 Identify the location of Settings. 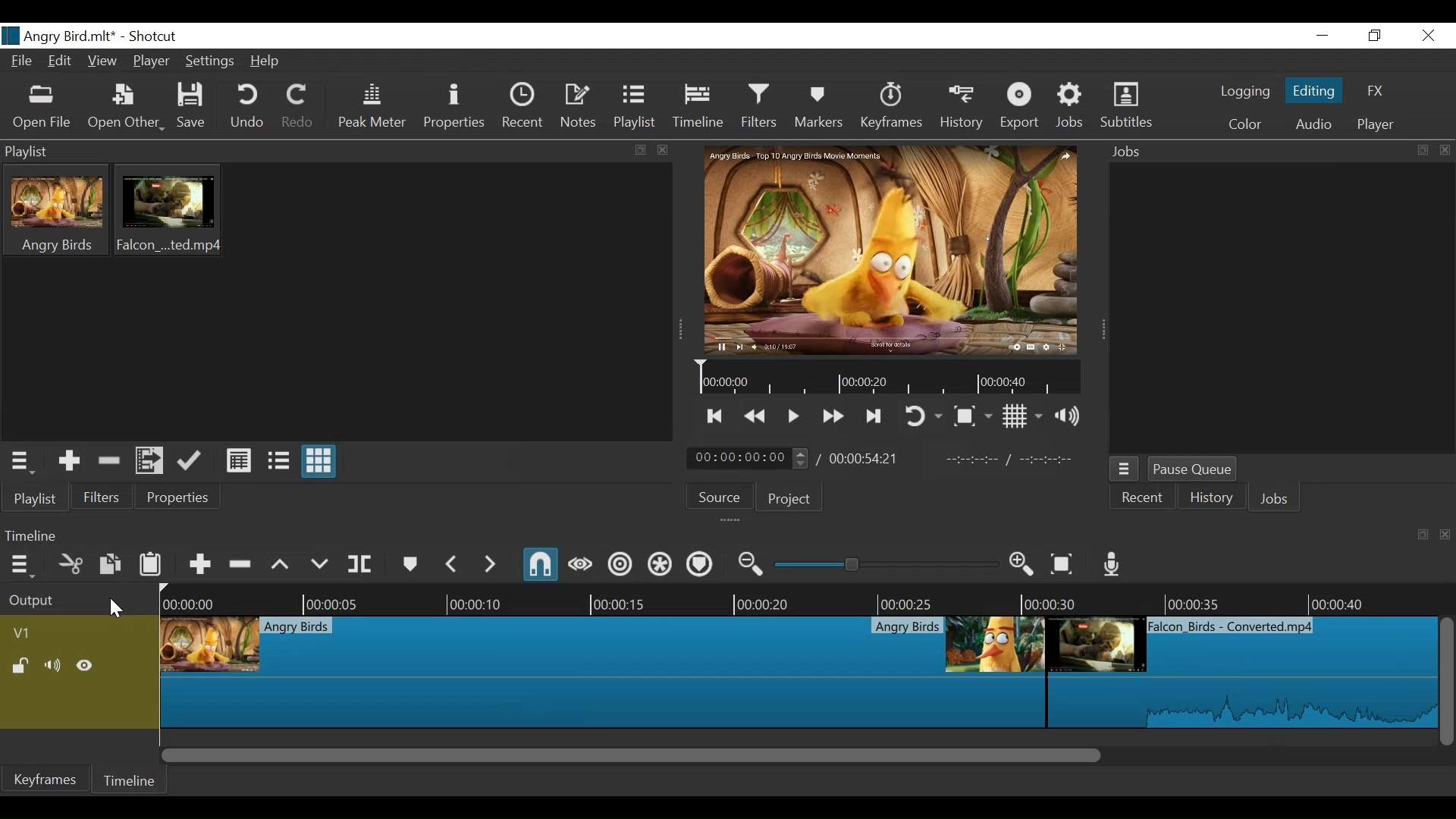
(210, 62).